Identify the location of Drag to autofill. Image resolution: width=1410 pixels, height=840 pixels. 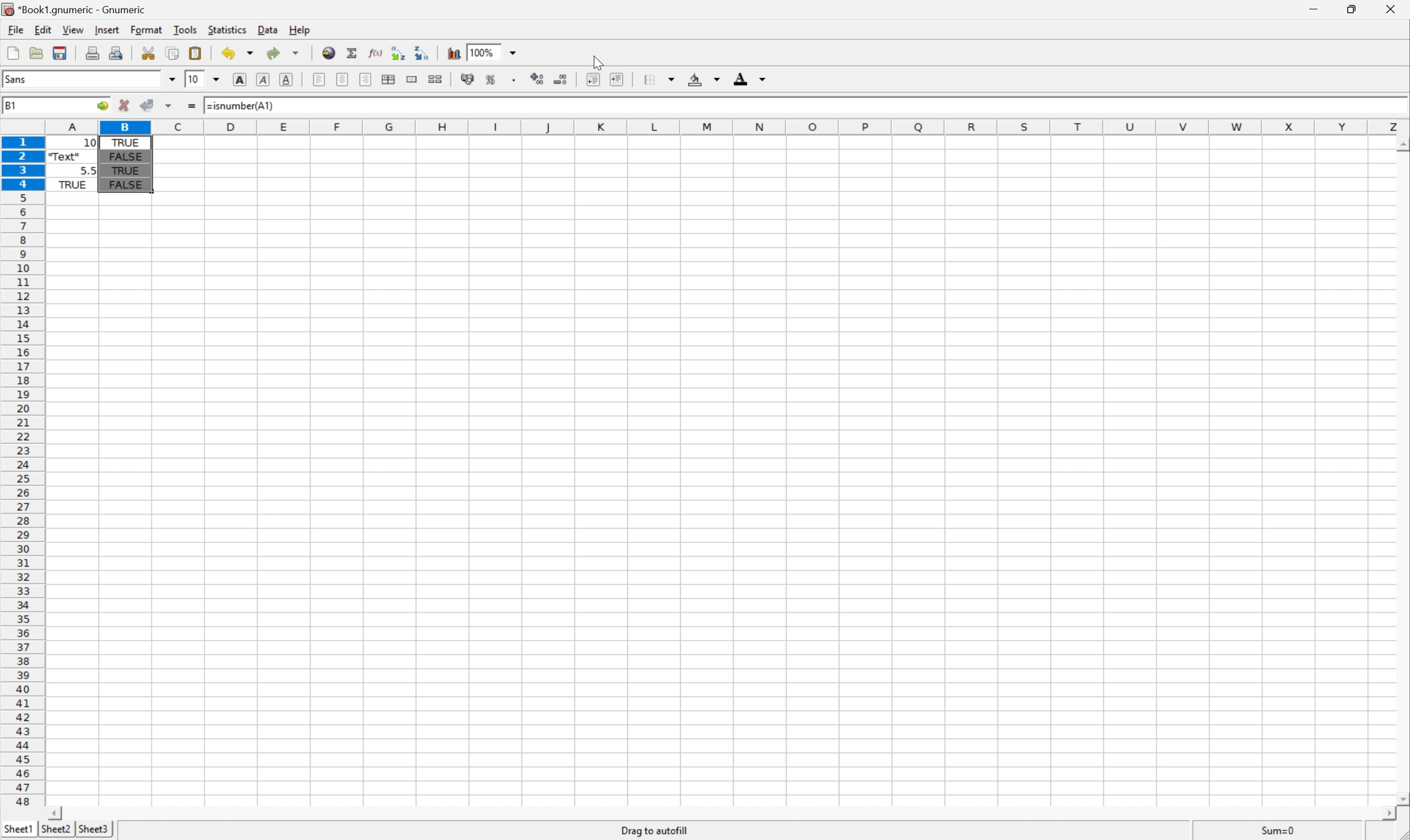
(654, 830).